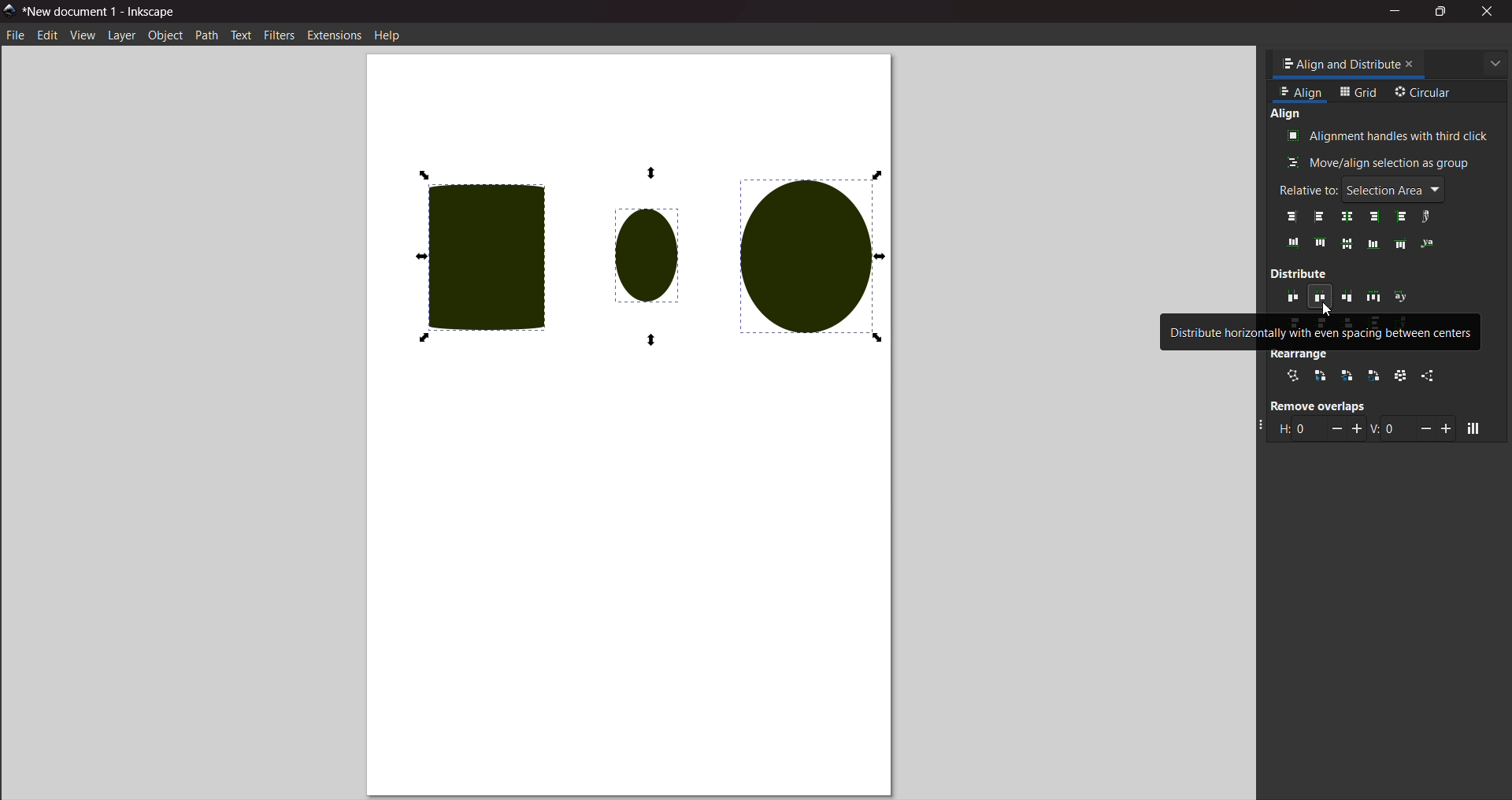 The width and height of the screenshot is (1512, 800). What do you see at coordinates (1347, 296) in the screenshot?
I see `distribute horizontally with even spacing between right edges` at bounding box center [1347, 296].